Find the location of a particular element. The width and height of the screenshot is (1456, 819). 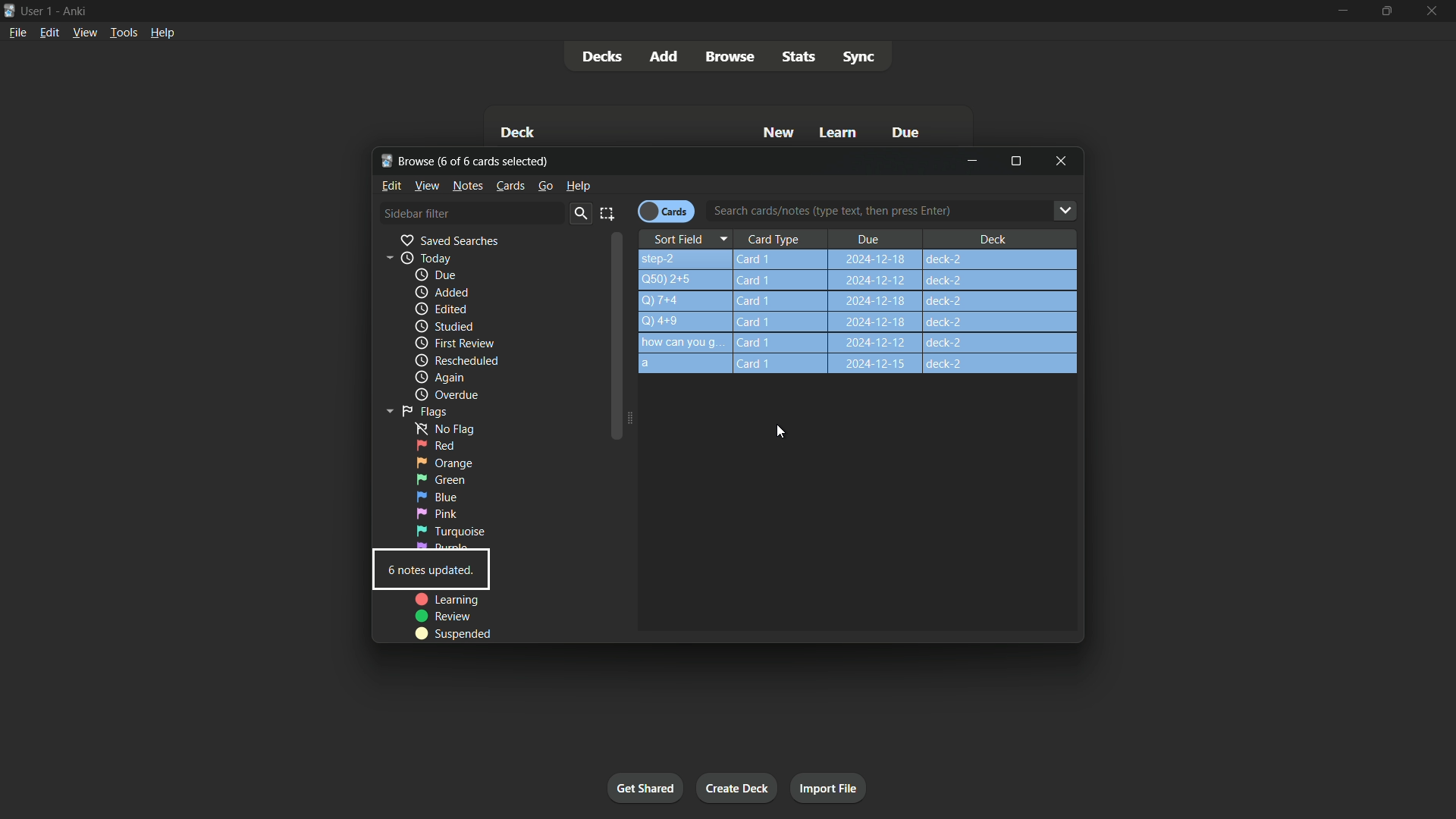

Maximize is located at coordinates (1385, 11).